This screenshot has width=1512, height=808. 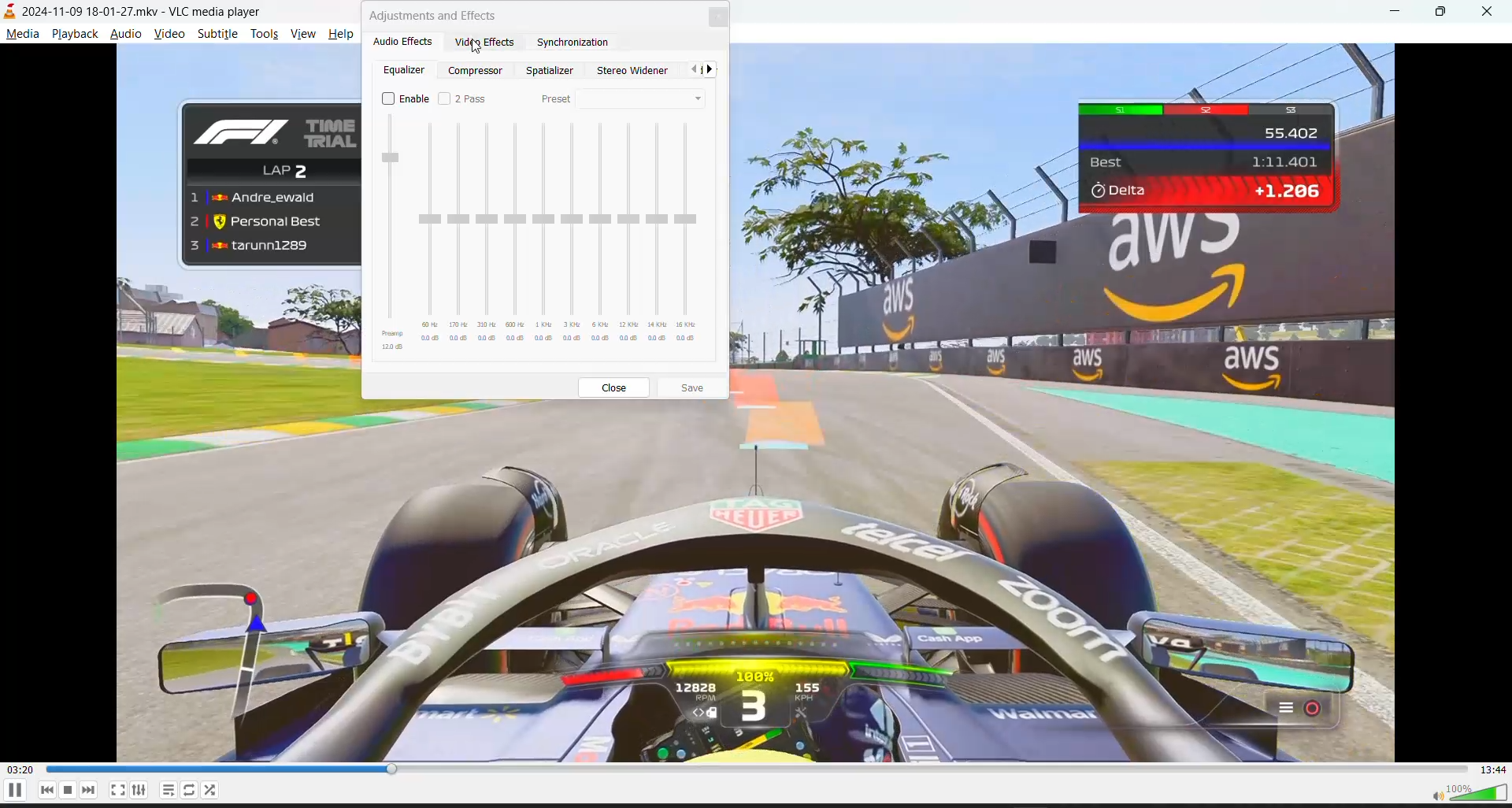 What do you see at coordinates (265, 32) in the screenshot?
I see `tools` at bounding box center [265, 32].